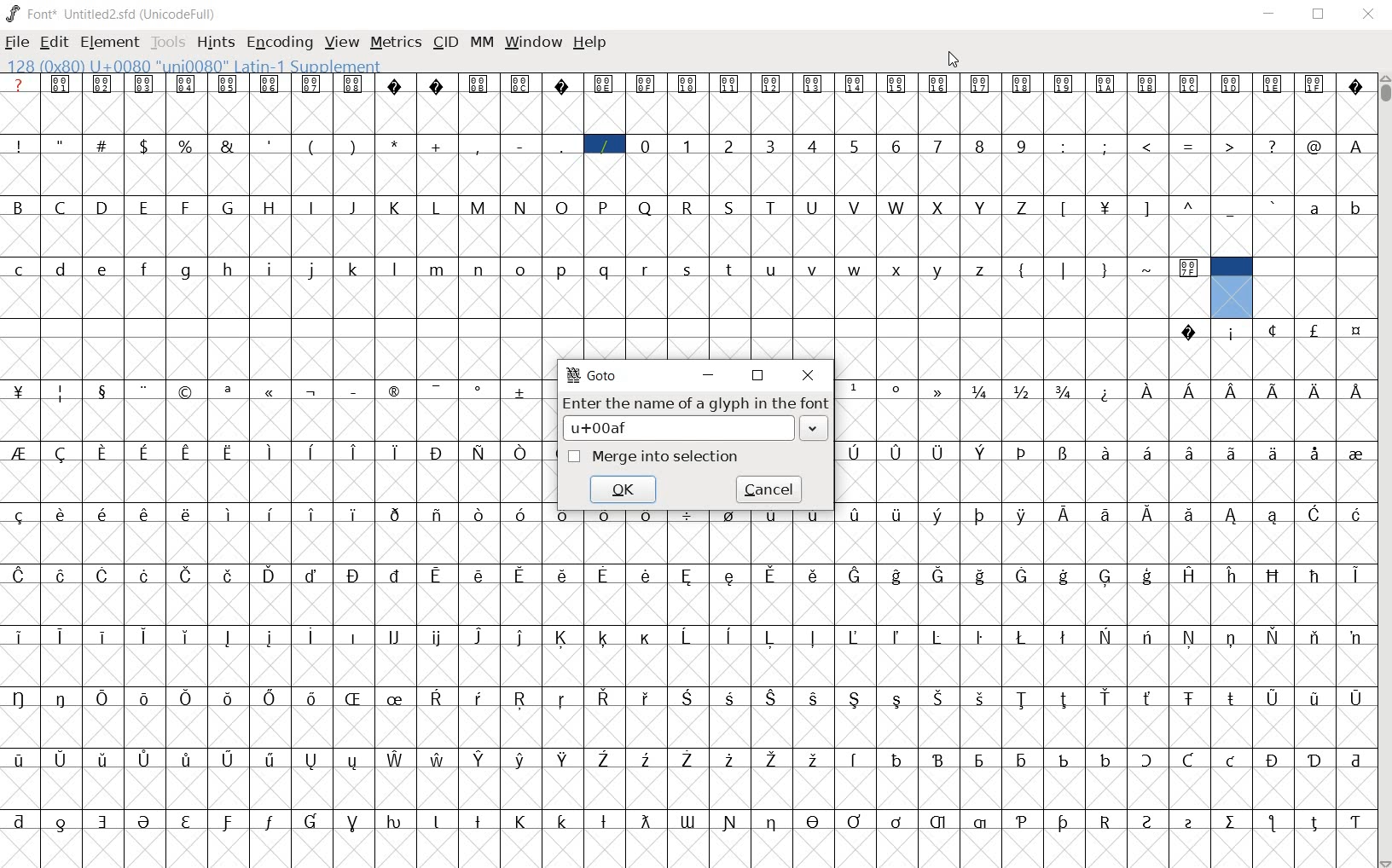 This screenshot has height=868, width=1392. I want to click on M, so click(479, 206).